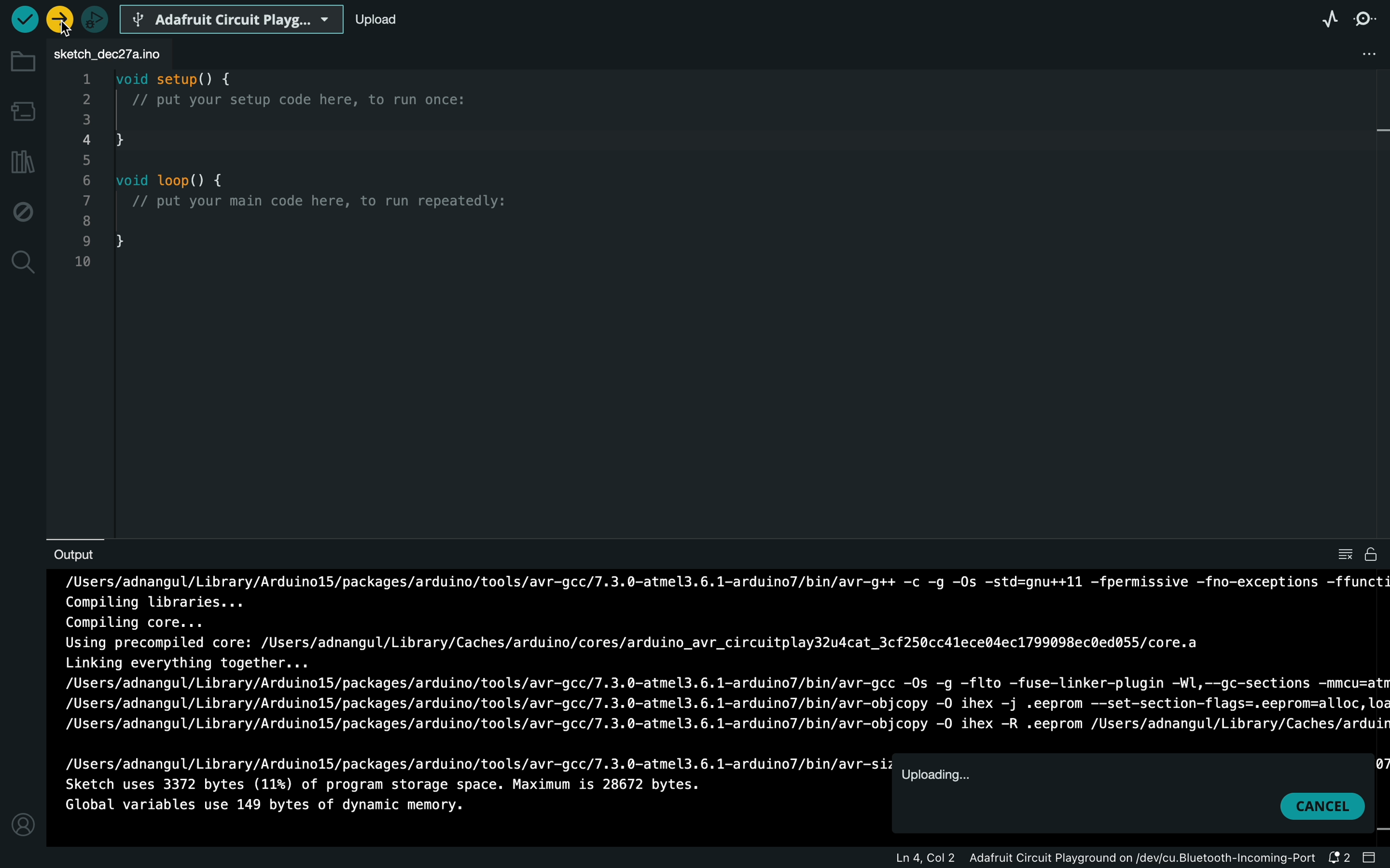 This screenshot has width=1390, height=868. I want to click on debugger, so click(96, 17).